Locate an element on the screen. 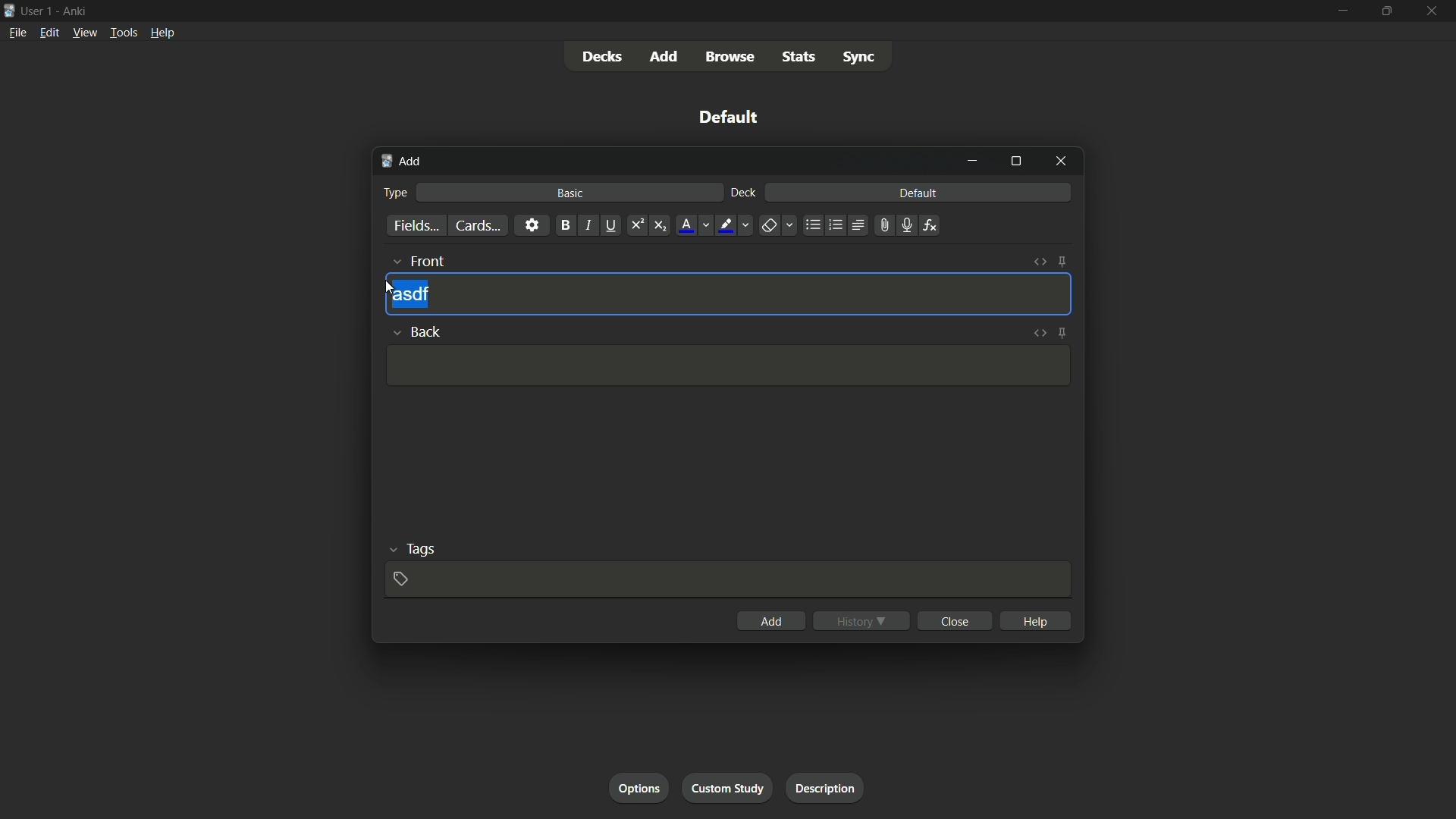  minimize is located at coordinates (972, 161).